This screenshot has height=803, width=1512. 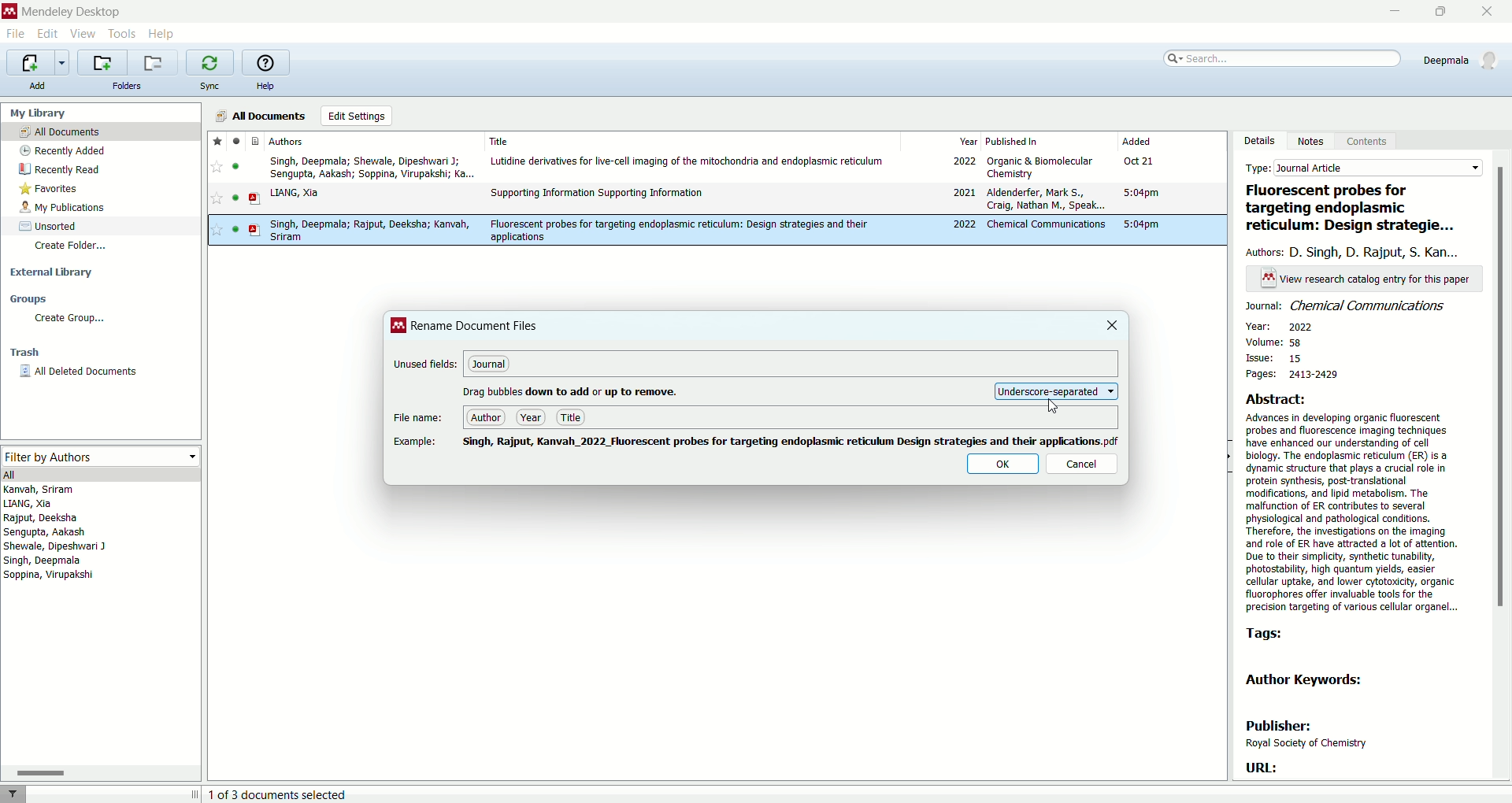 I want to click on read/unread, so click(x=232, y=230).